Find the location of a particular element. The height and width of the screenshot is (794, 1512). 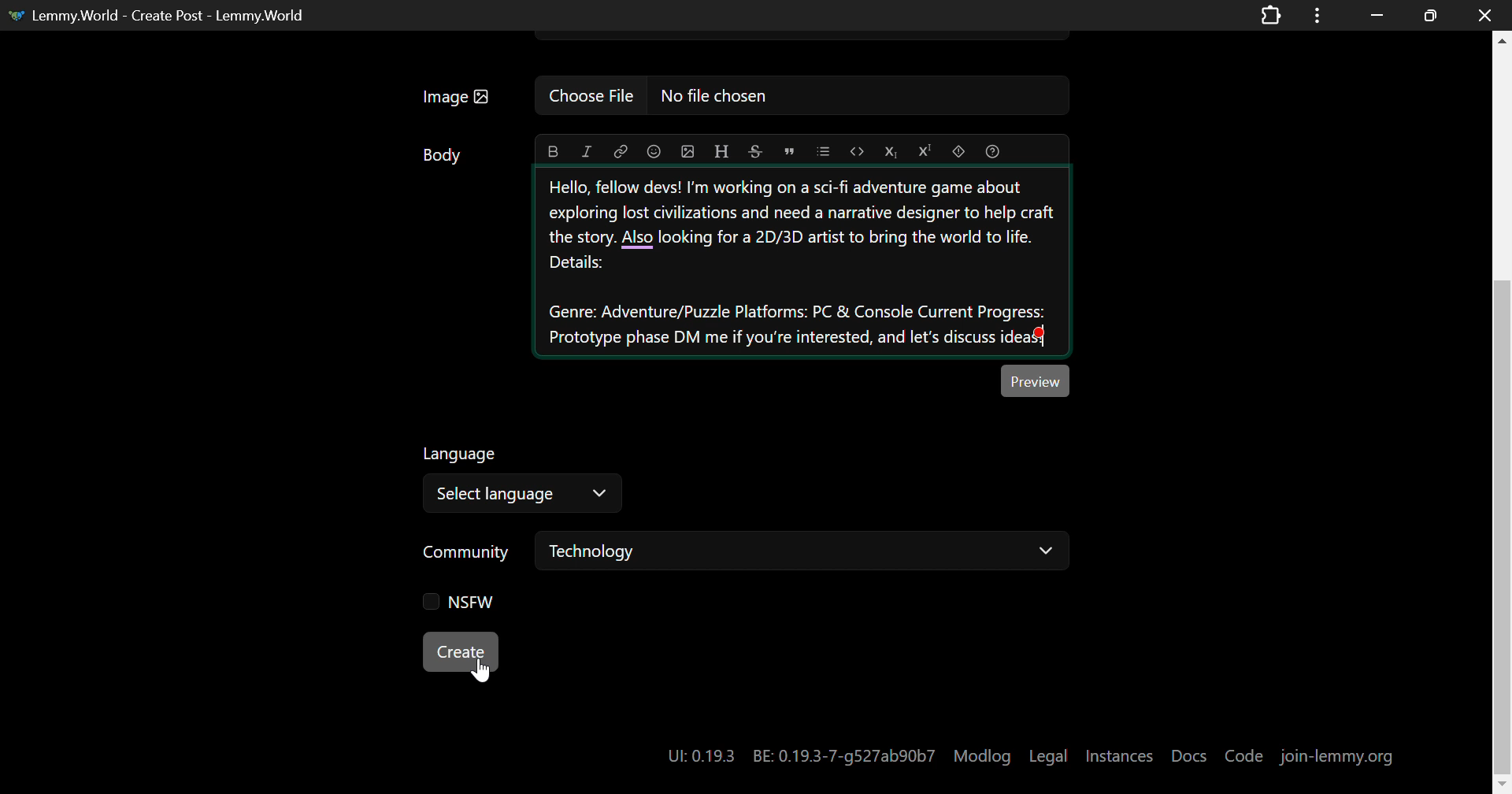

Code is located at coordinates (1244, 755).